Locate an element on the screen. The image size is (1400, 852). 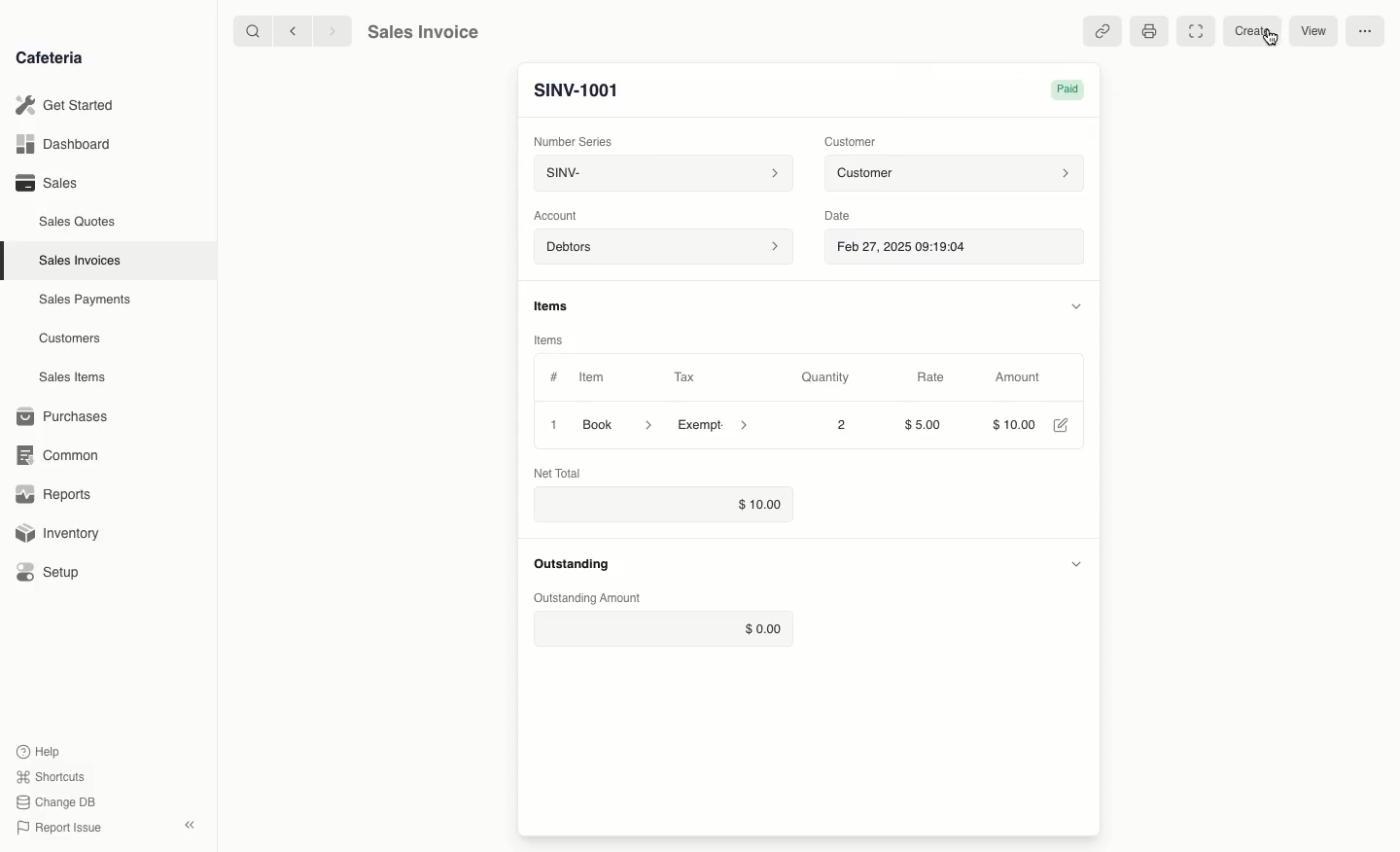
Change DB is located at coordinates (59, 801).